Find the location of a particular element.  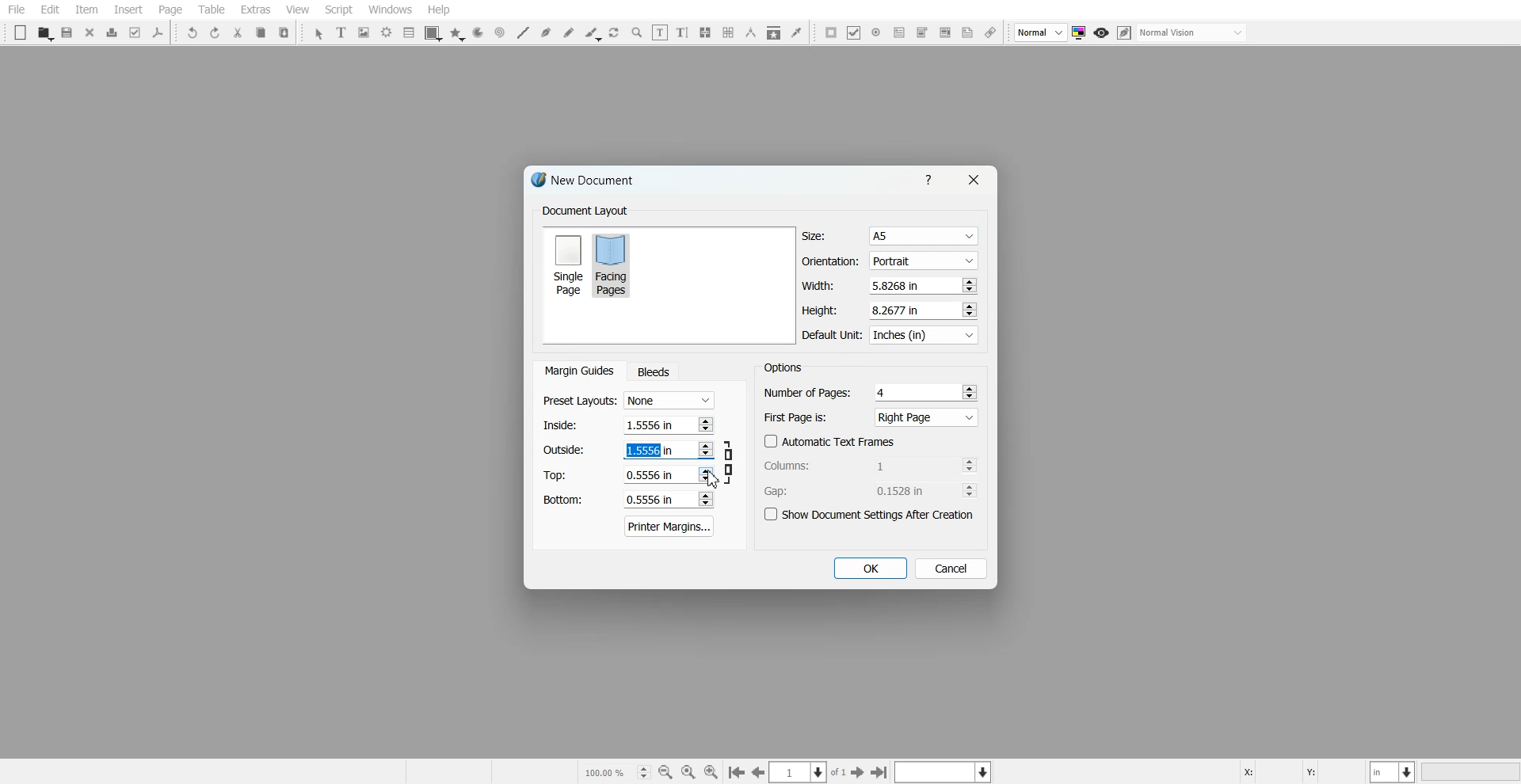

Print is located at coordinates (112, 32).